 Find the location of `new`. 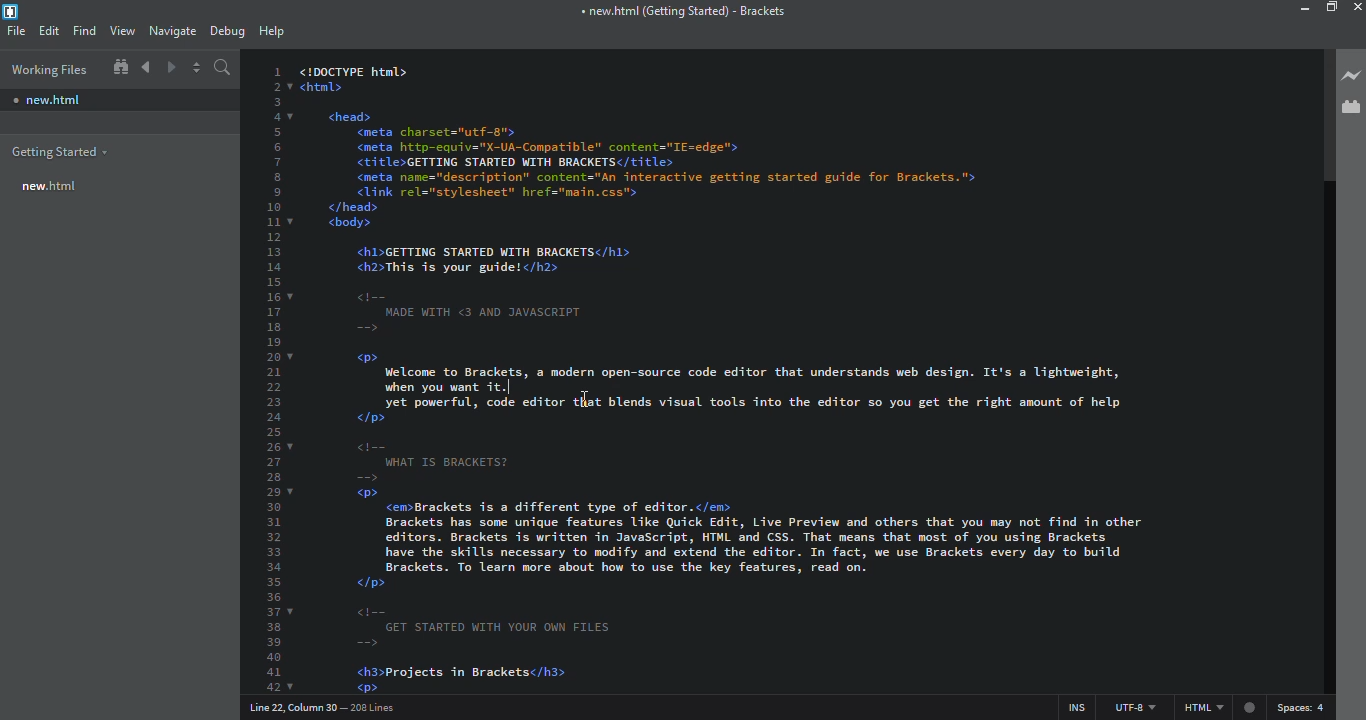

new is located at coordinates (51, 99).